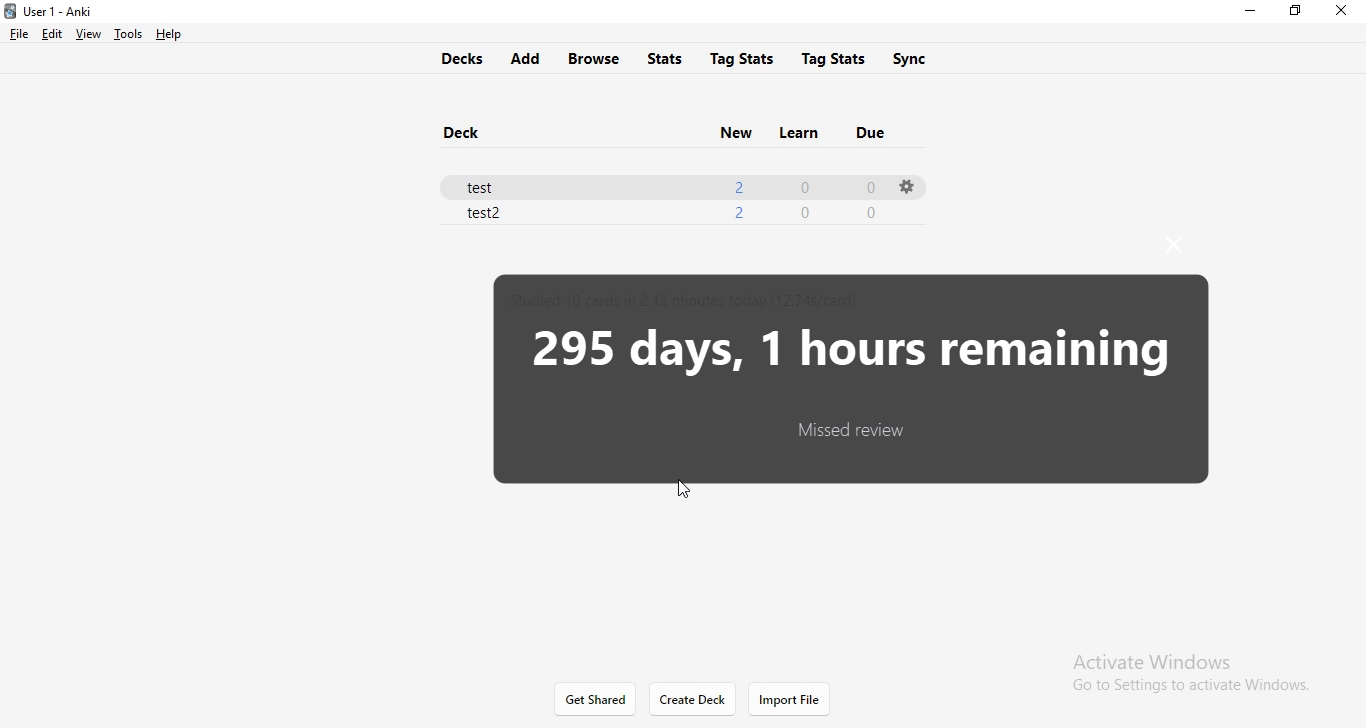  Describe the element at coordinates (738, 210) in the screenshot. I see `2` at that location.